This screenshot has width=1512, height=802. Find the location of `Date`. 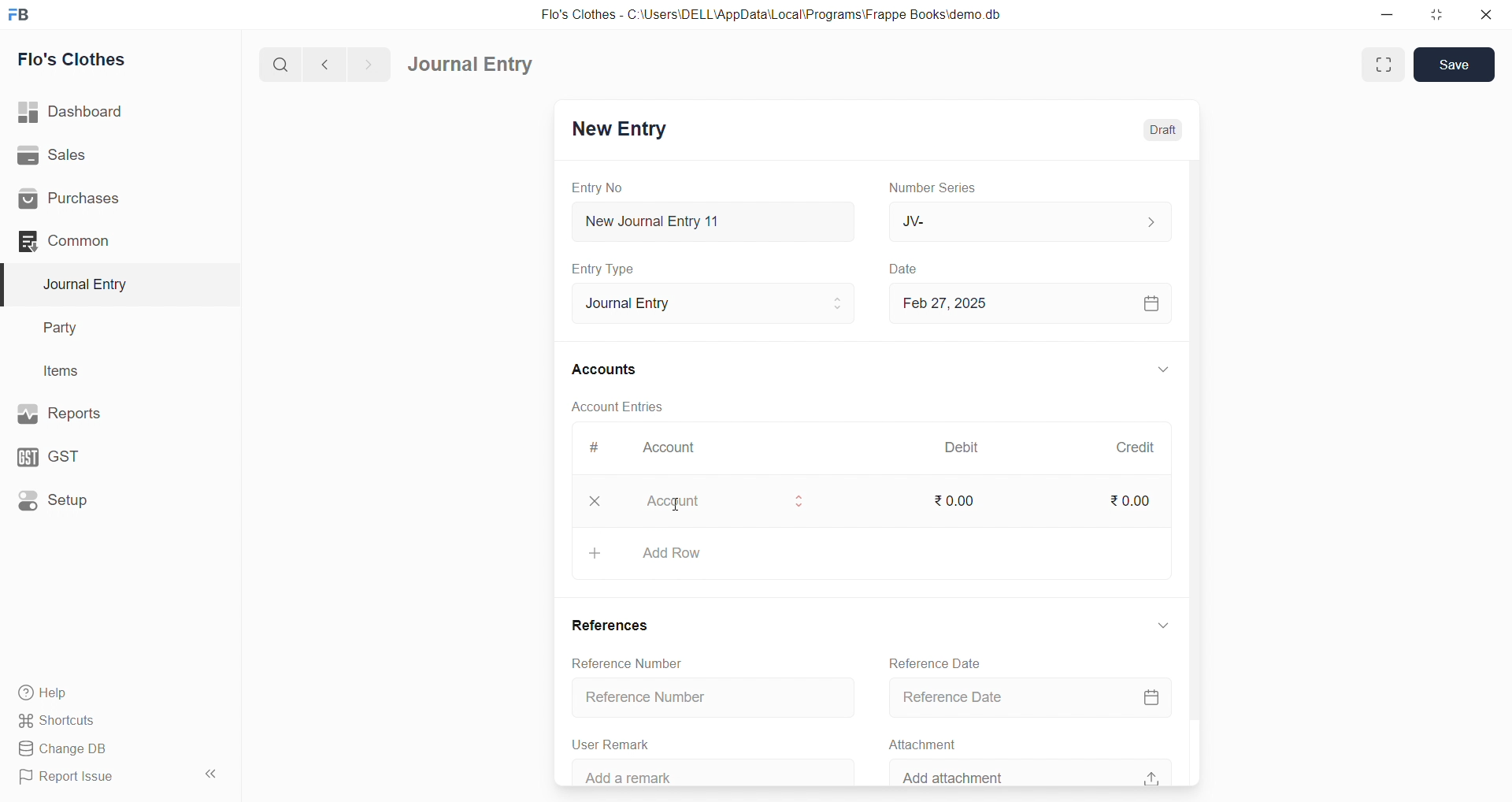

Date is located at coordinates (908, 269).